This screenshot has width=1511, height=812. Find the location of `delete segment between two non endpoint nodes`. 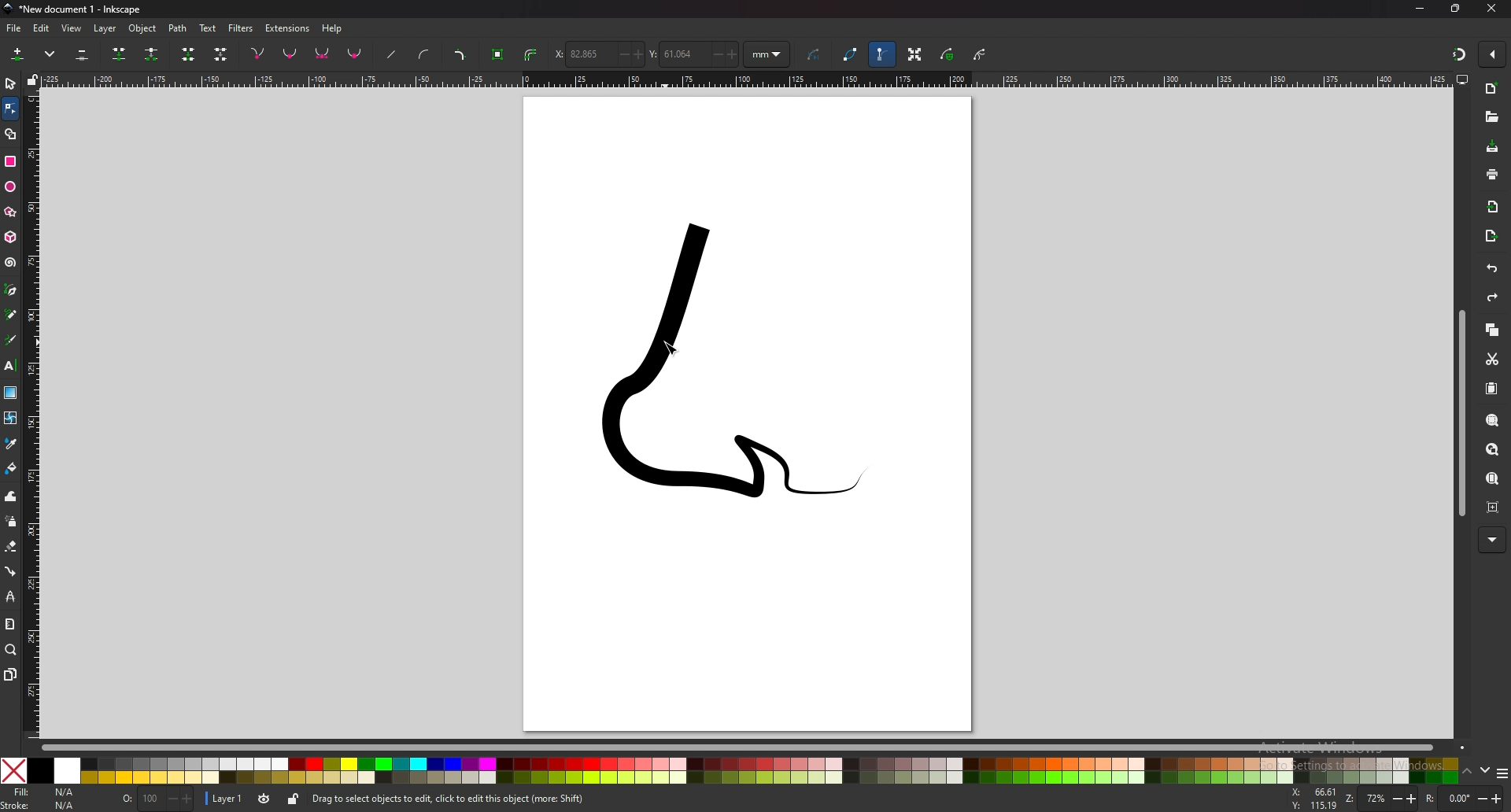

delete segment between two non endpoint nodes is located at coordinates (222, 55).